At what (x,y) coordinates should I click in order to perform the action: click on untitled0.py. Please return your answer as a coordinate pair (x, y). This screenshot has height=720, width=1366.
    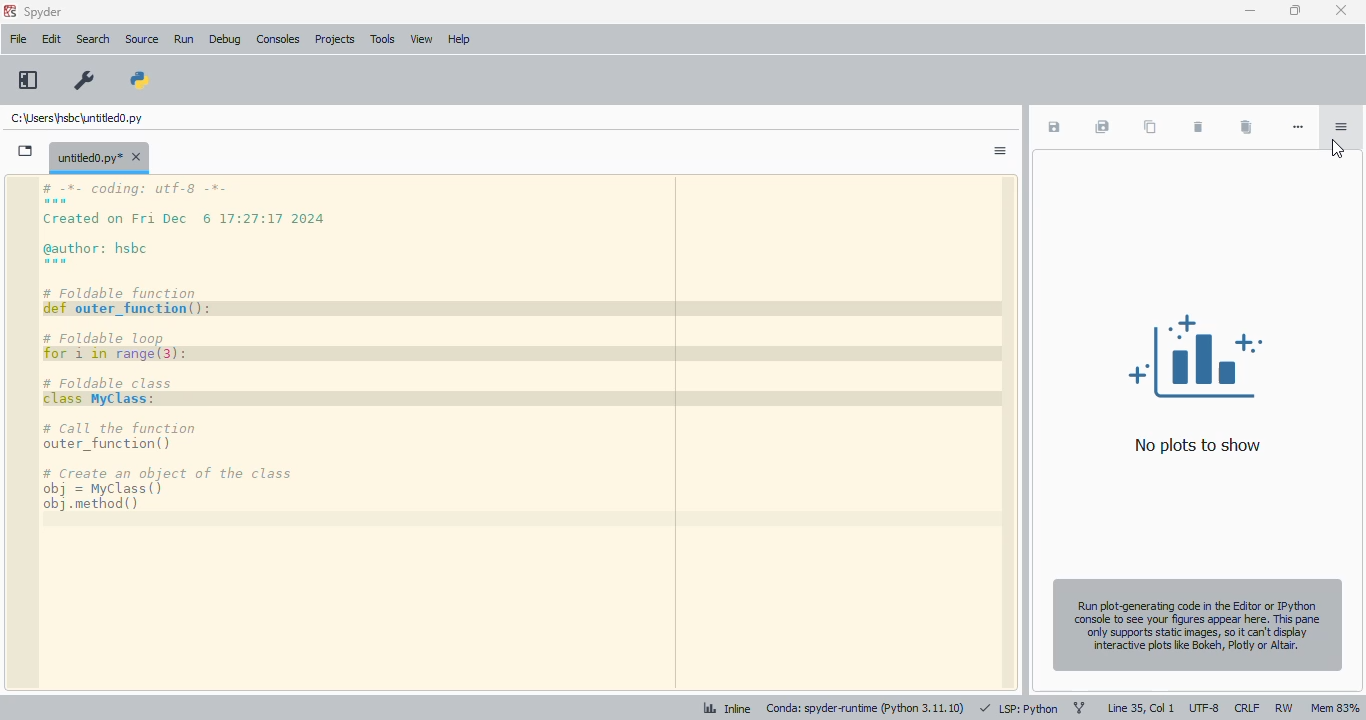
    Looking at the image, I should click on (99, 156).